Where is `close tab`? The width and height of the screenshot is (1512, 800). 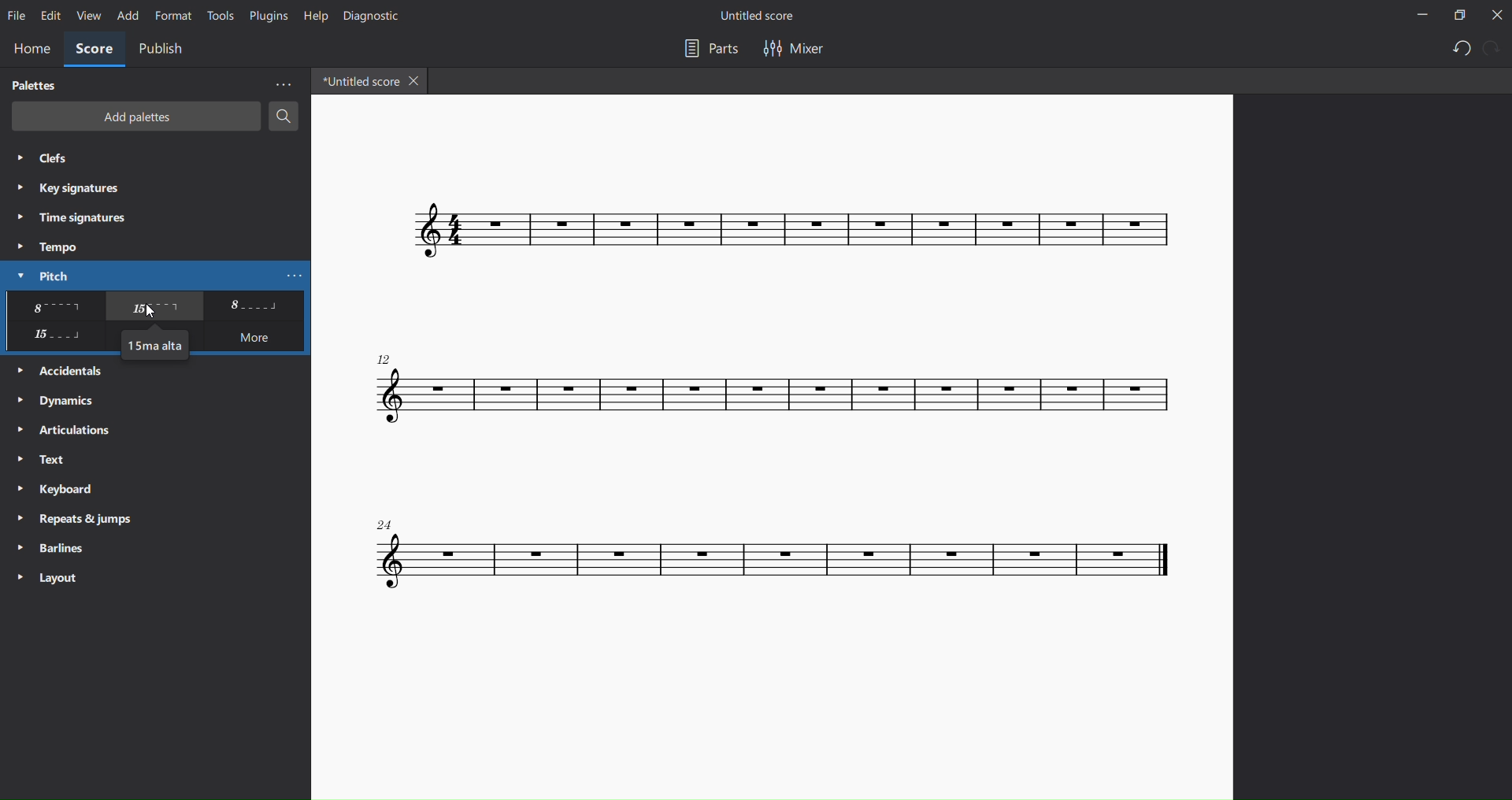
close tab is located at coordinates (417, 80).